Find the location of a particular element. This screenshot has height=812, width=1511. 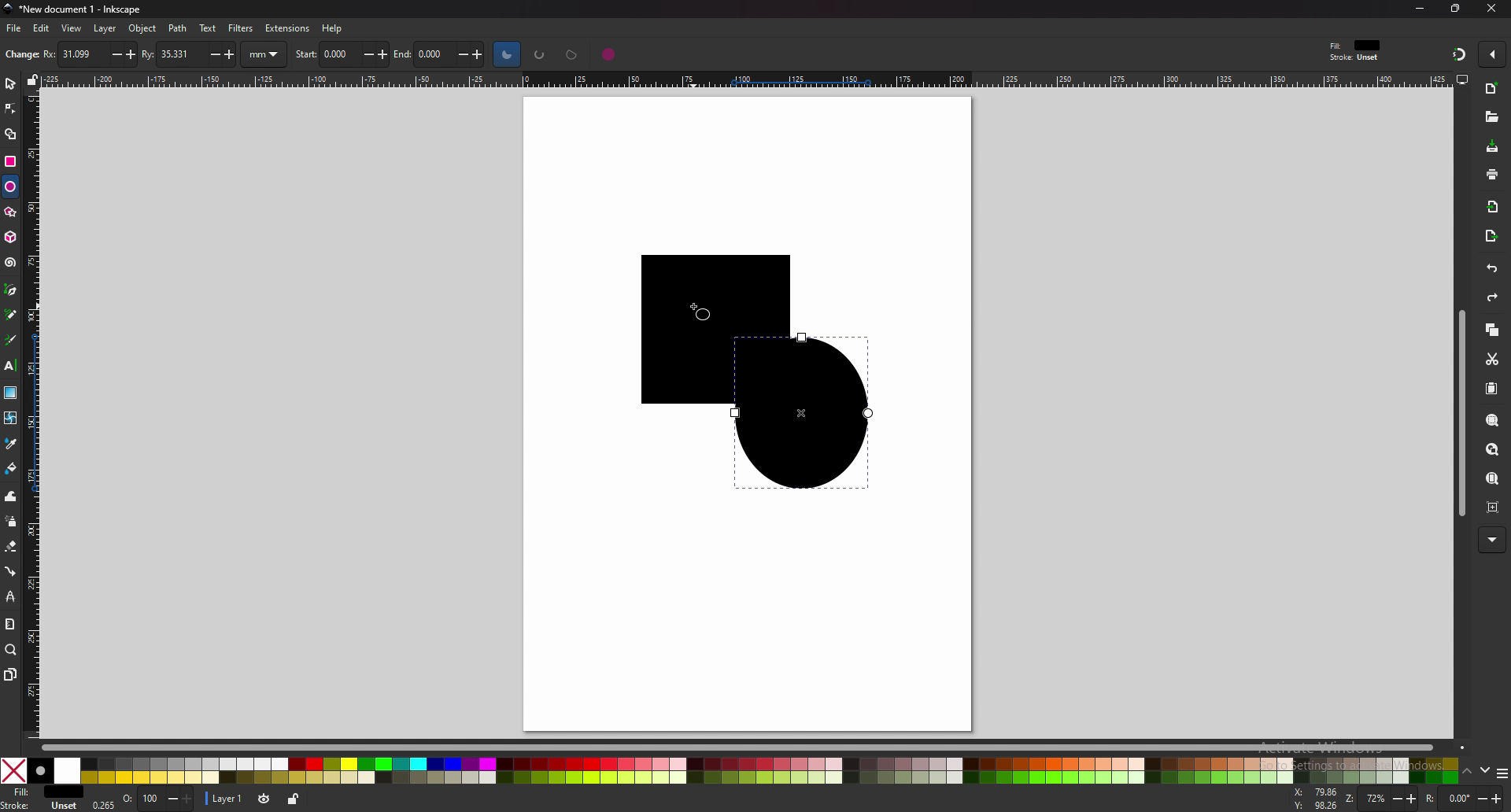

toggle lock is located at coordinates (293, 799).